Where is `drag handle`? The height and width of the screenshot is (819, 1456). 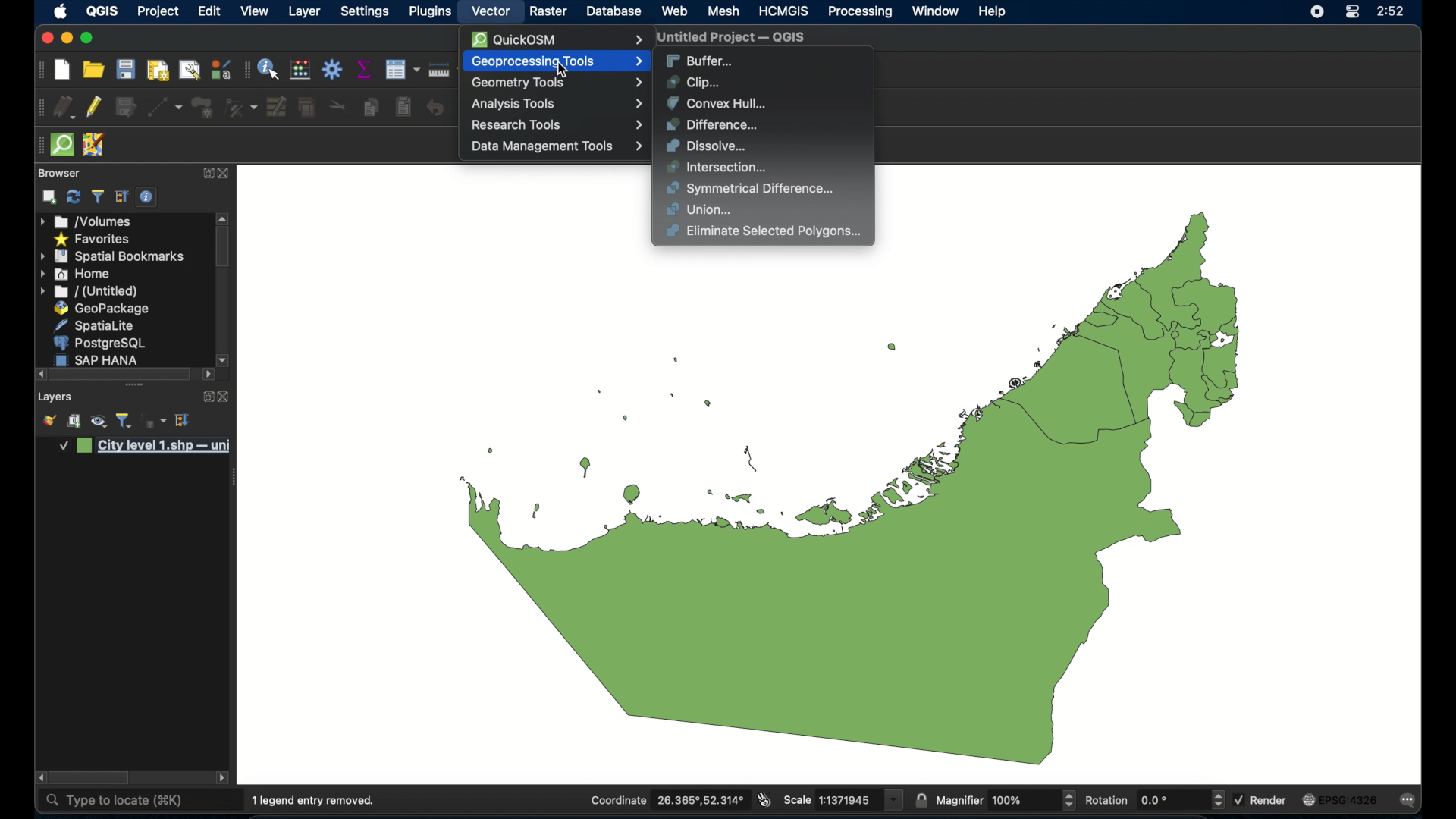
drag handle is located at coordinates (237, 476).